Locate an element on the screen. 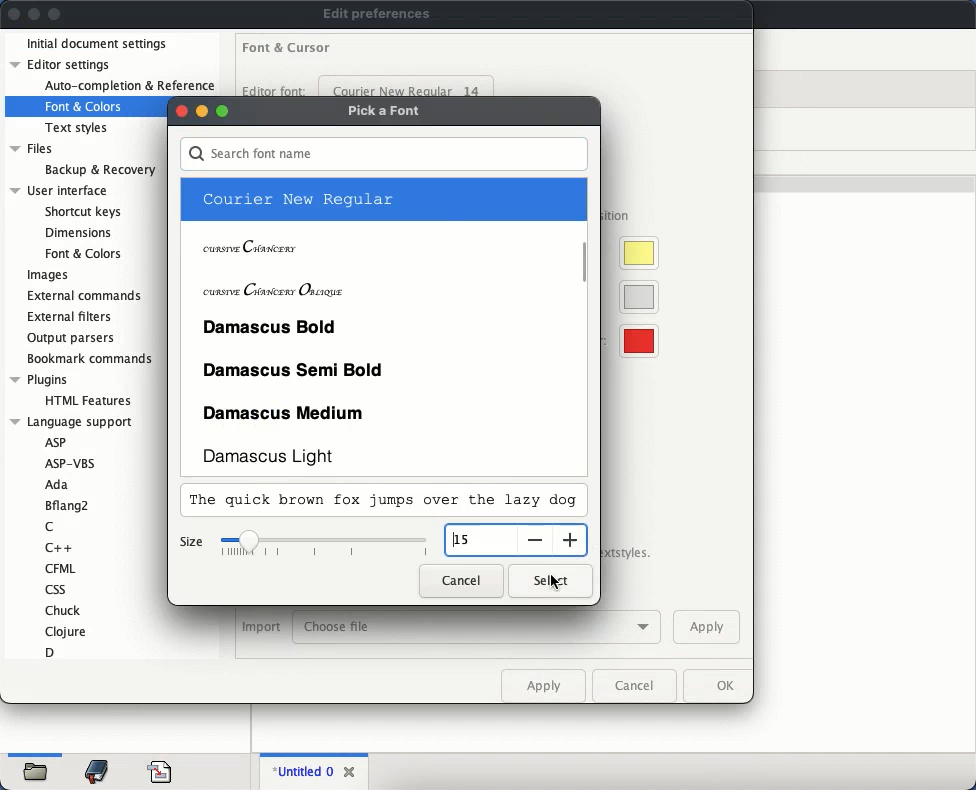 Image resolution: width=976 pixels, height=790 pixels. c++ is located at coordinates (61, 547).